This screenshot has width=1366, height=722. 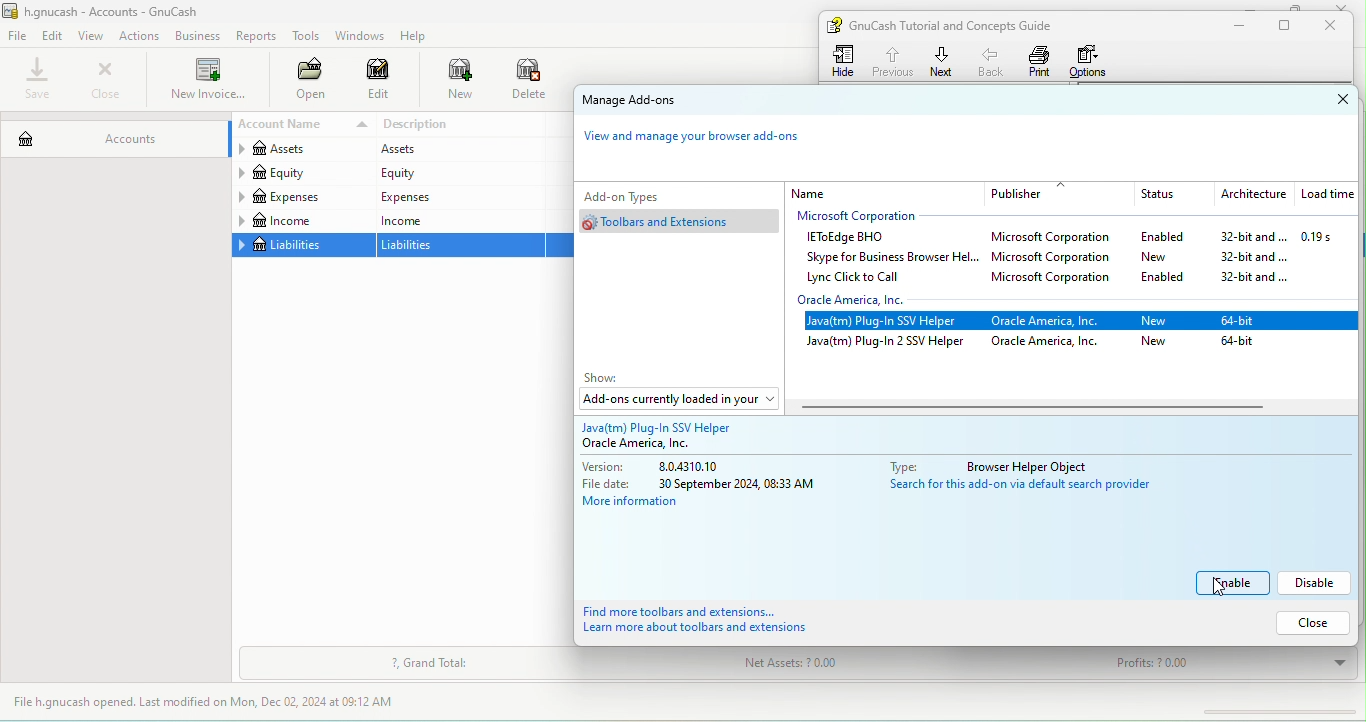 What do you see at coordinates (1244, 319) in the screenshot?
I see `64 bit` at bounding box center [1244, 319].